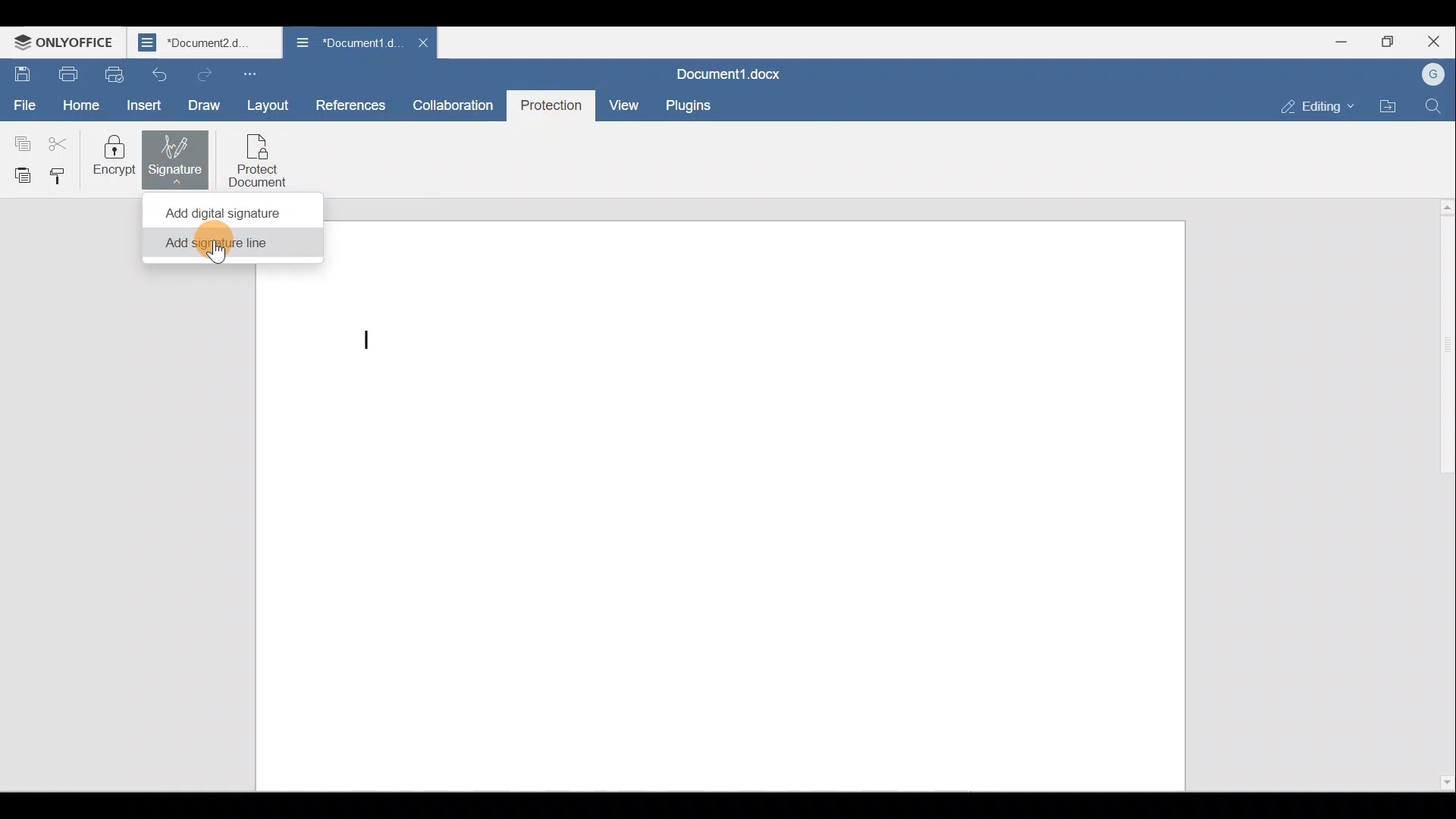  Describe the element at coordinates (259, 158) in the screenshot. I see `Protect document` at that location.